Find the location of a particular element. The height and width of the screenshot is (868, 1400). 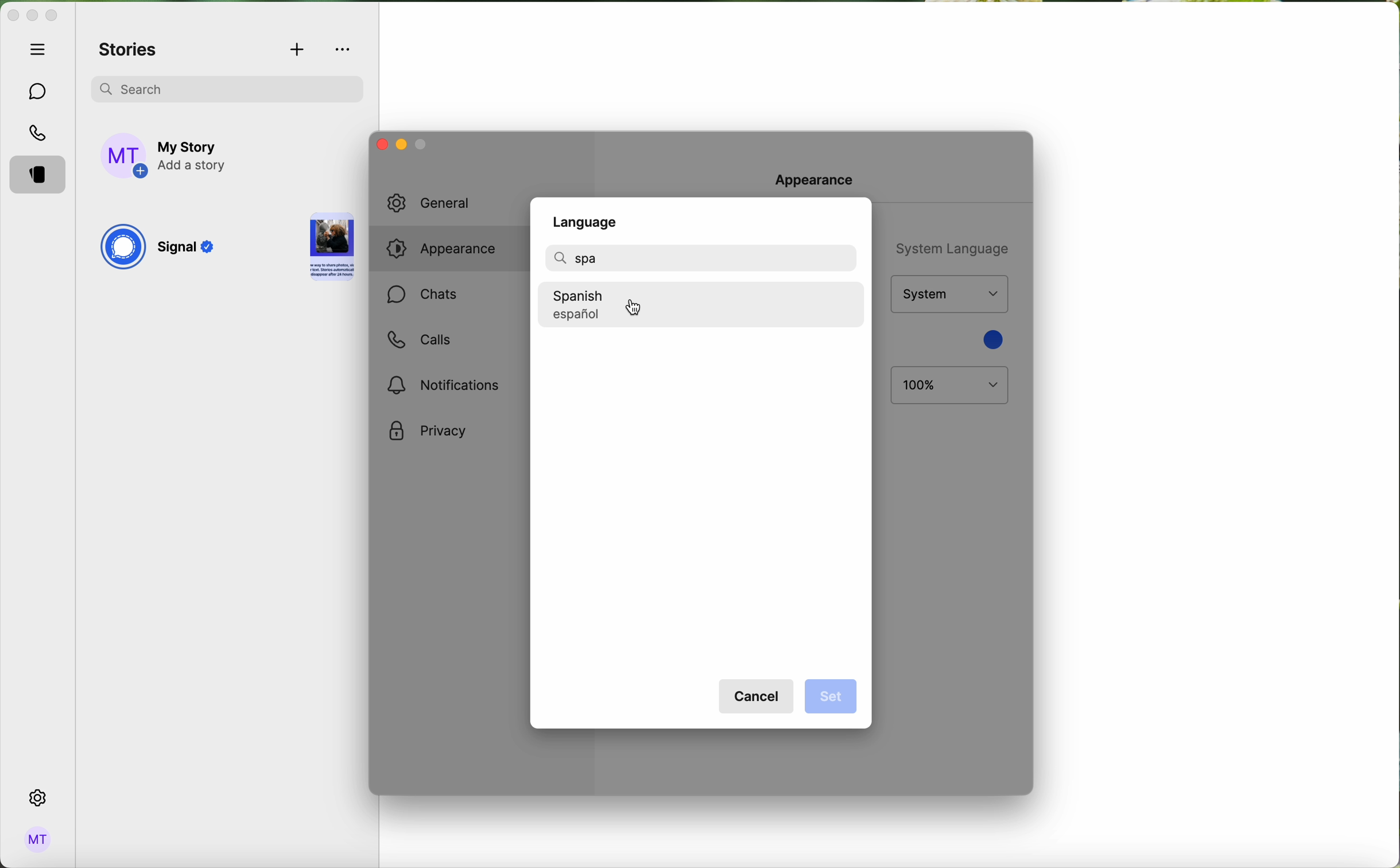

add story is located at coordinates (194, 157).